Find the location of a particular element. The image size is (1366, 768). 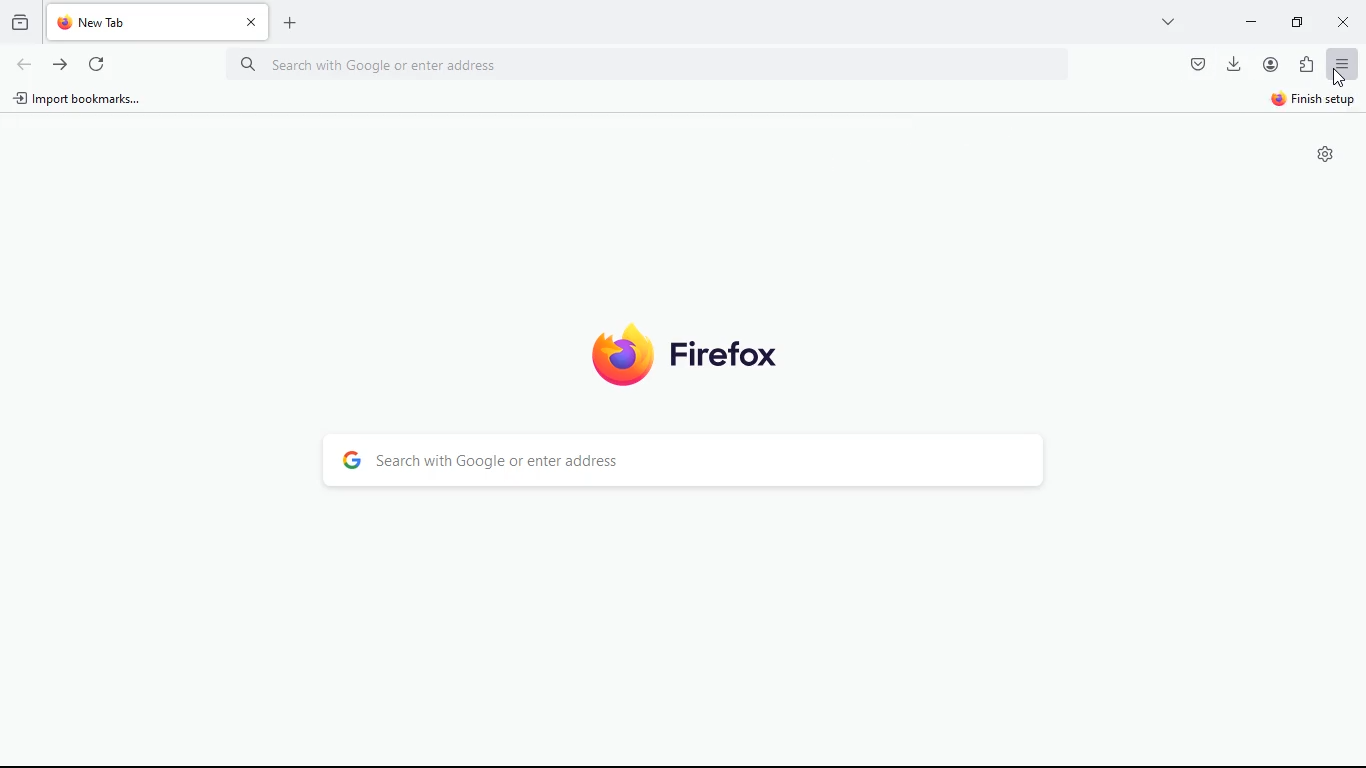

menu is located at coordinates (1343, 64).